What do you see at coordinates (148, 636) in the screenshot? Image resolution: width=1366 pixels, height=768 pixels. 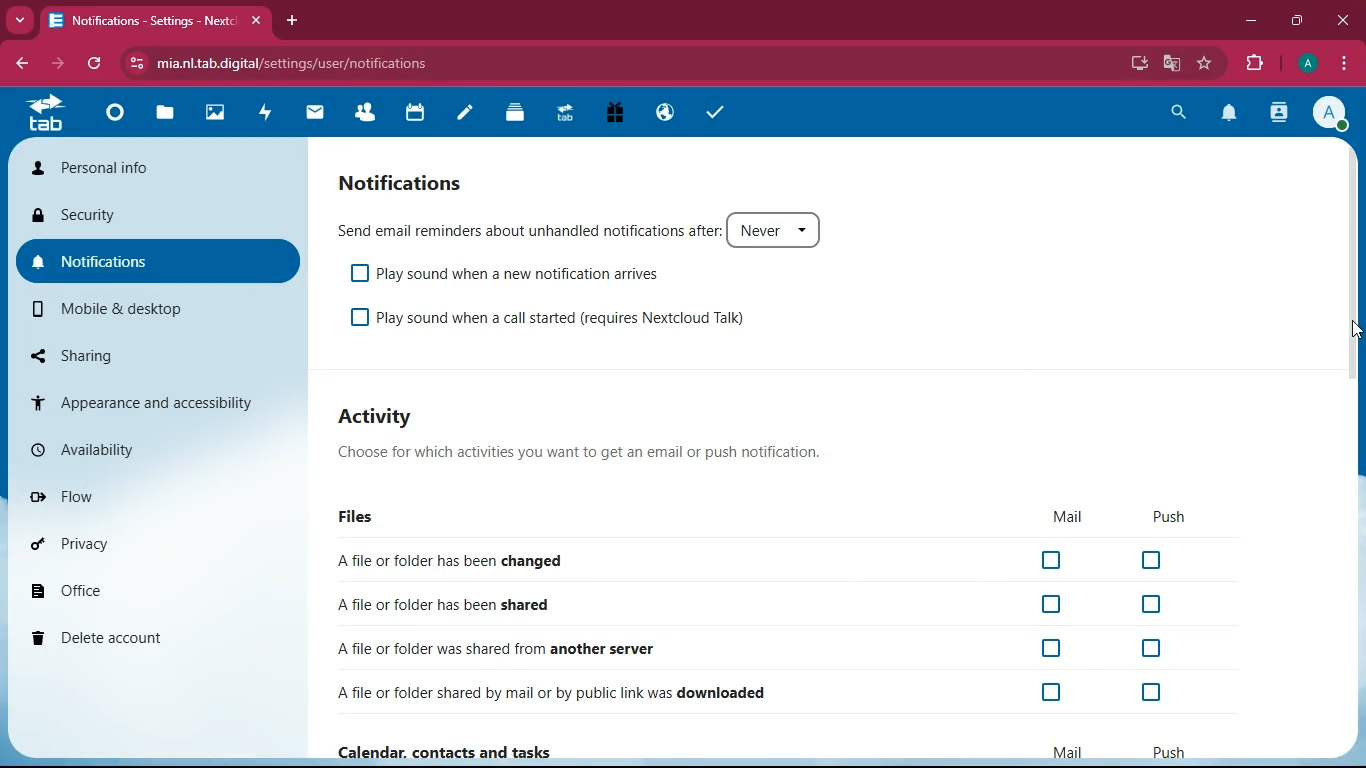 I see `delete account` at bounding box center [148, 636].